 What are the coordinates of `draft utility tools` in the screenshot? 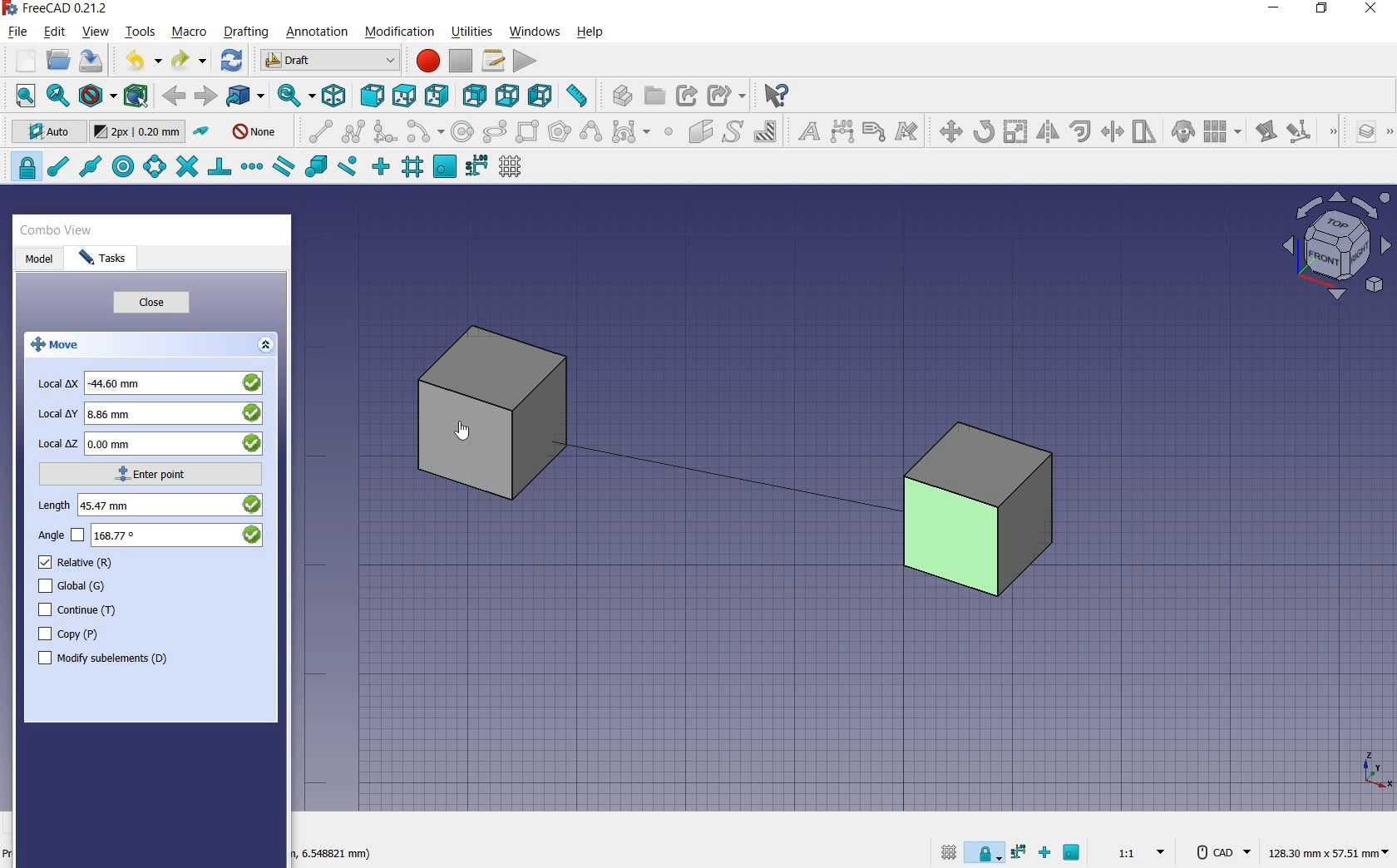 It's located at (1390, 133).